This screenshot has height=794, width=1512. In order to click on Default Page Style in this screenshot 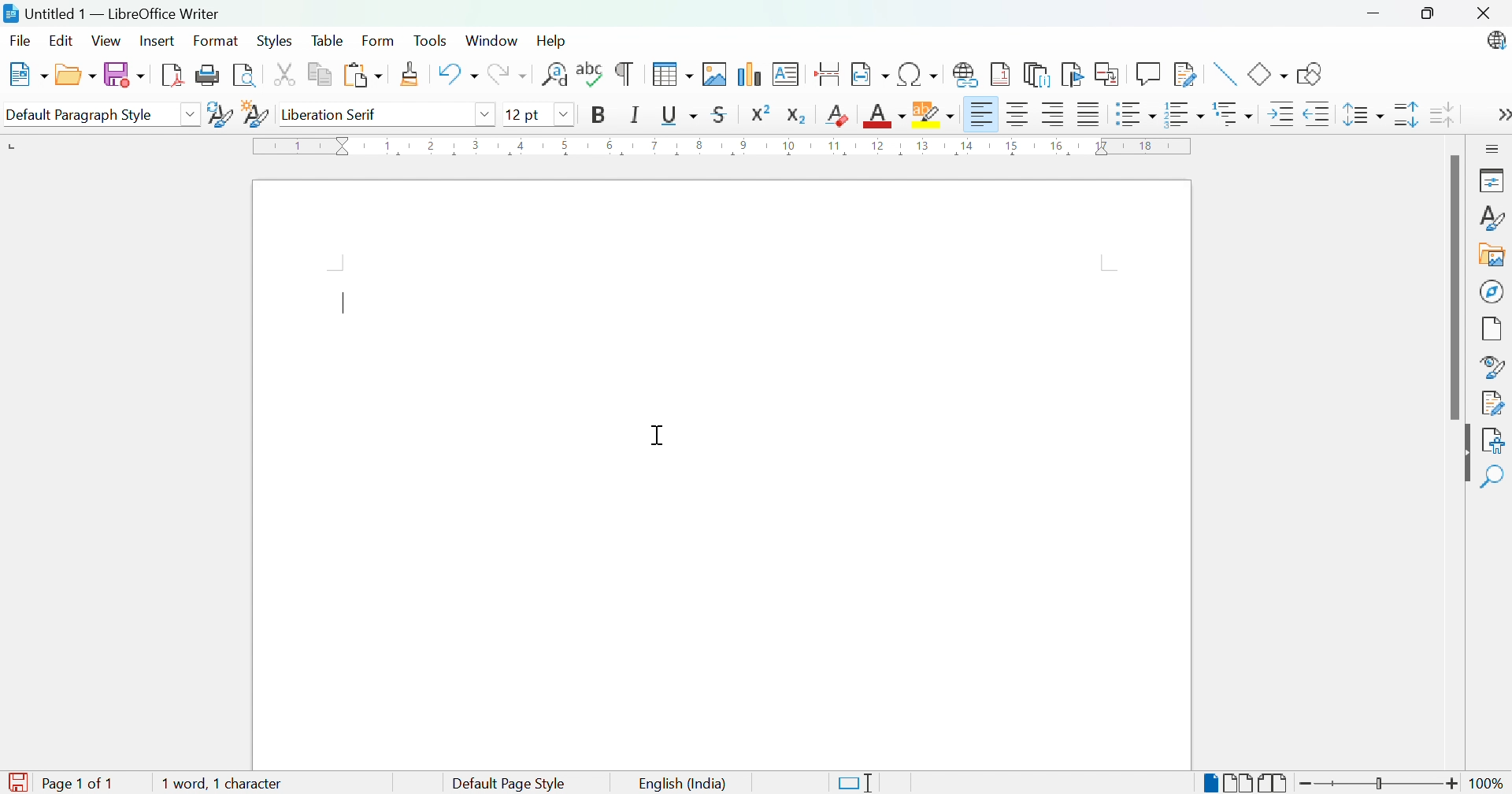, I will do `click(513, 784)`.